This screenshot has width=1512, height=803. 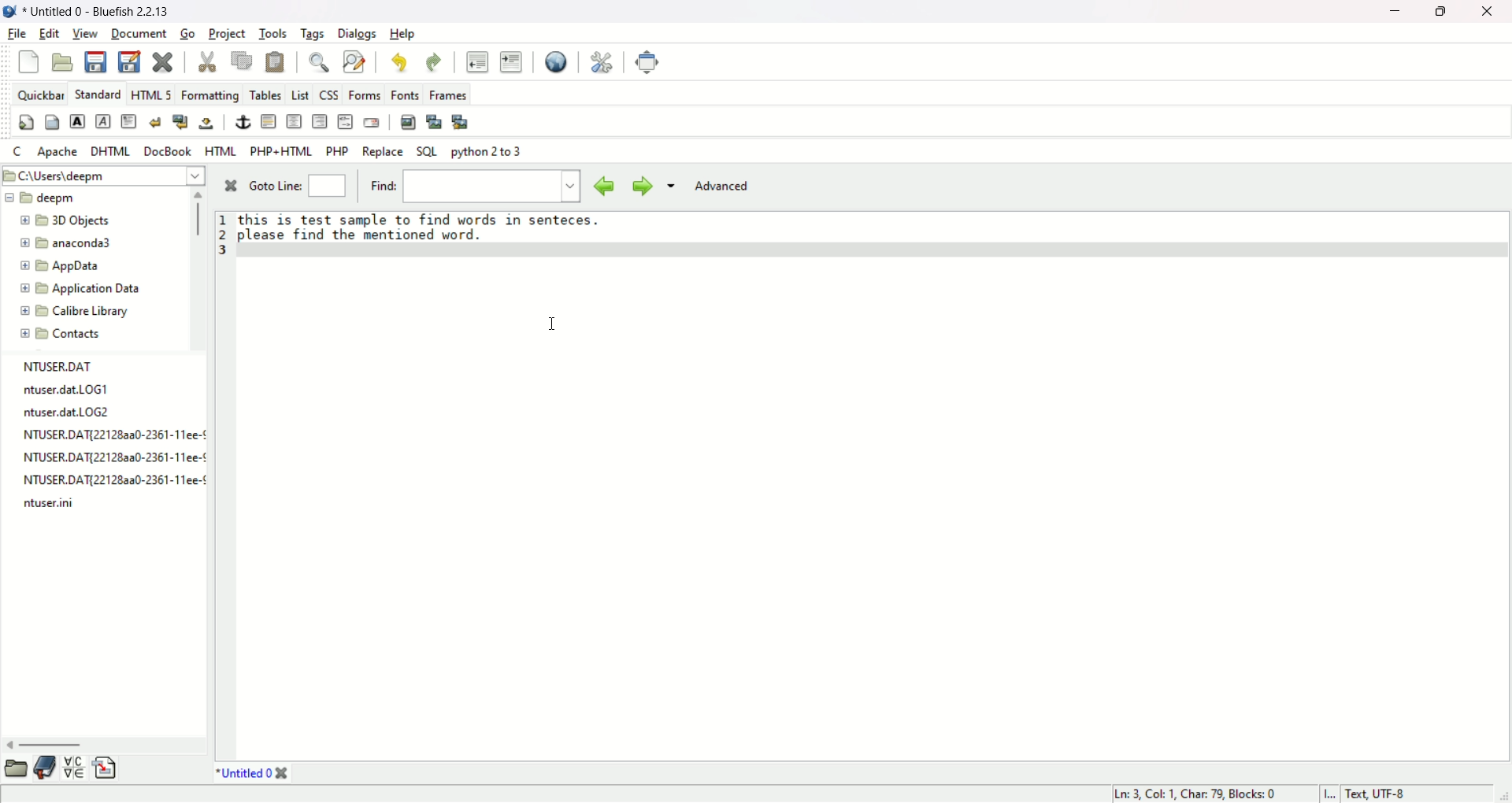 What do you see at coordinates (432, 61) in the screenshot?
I see `redo` at bounding box center [432, 61].